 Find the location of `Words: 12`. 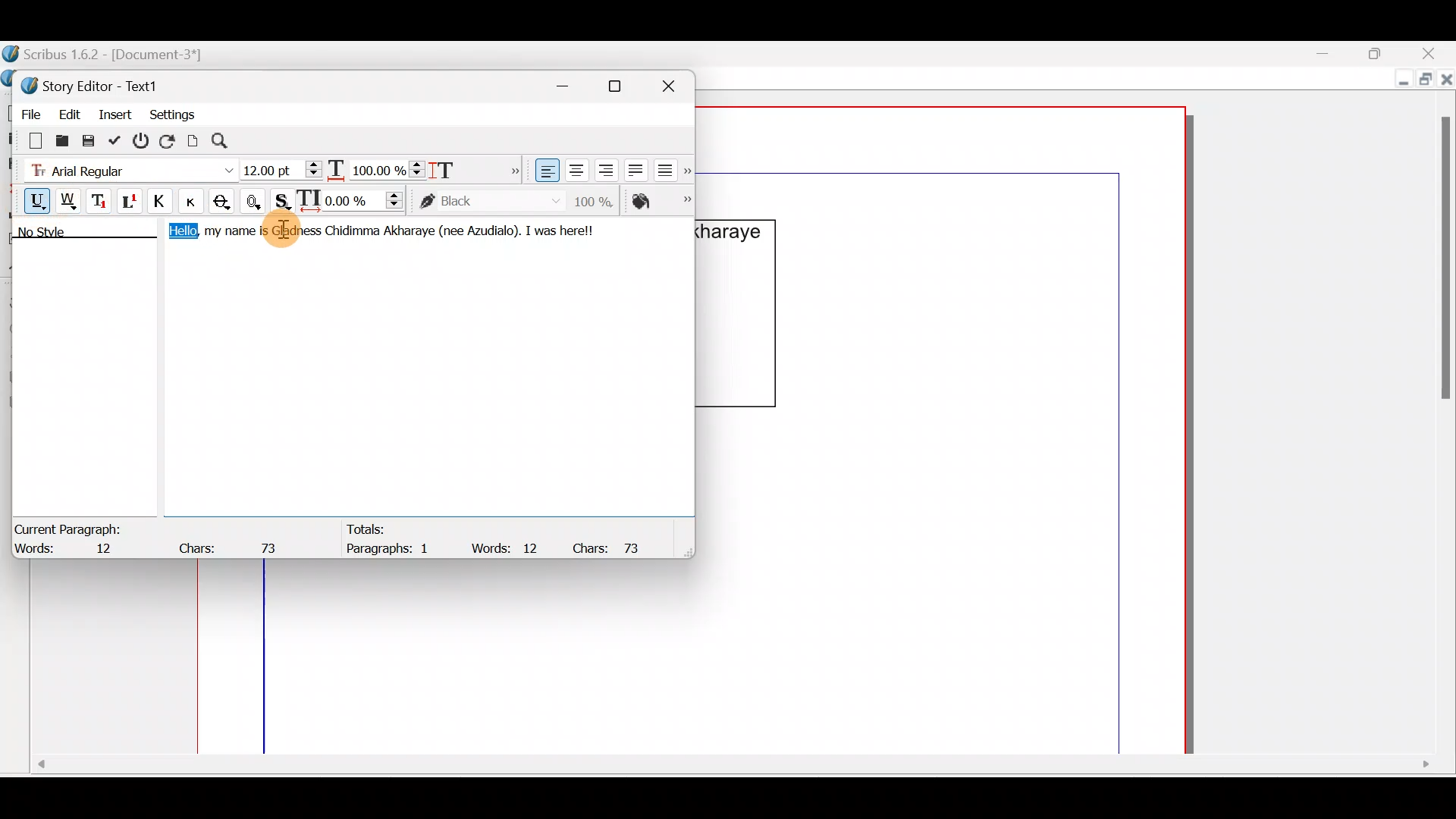

Words: 12 is located at coordinates (508, 548).